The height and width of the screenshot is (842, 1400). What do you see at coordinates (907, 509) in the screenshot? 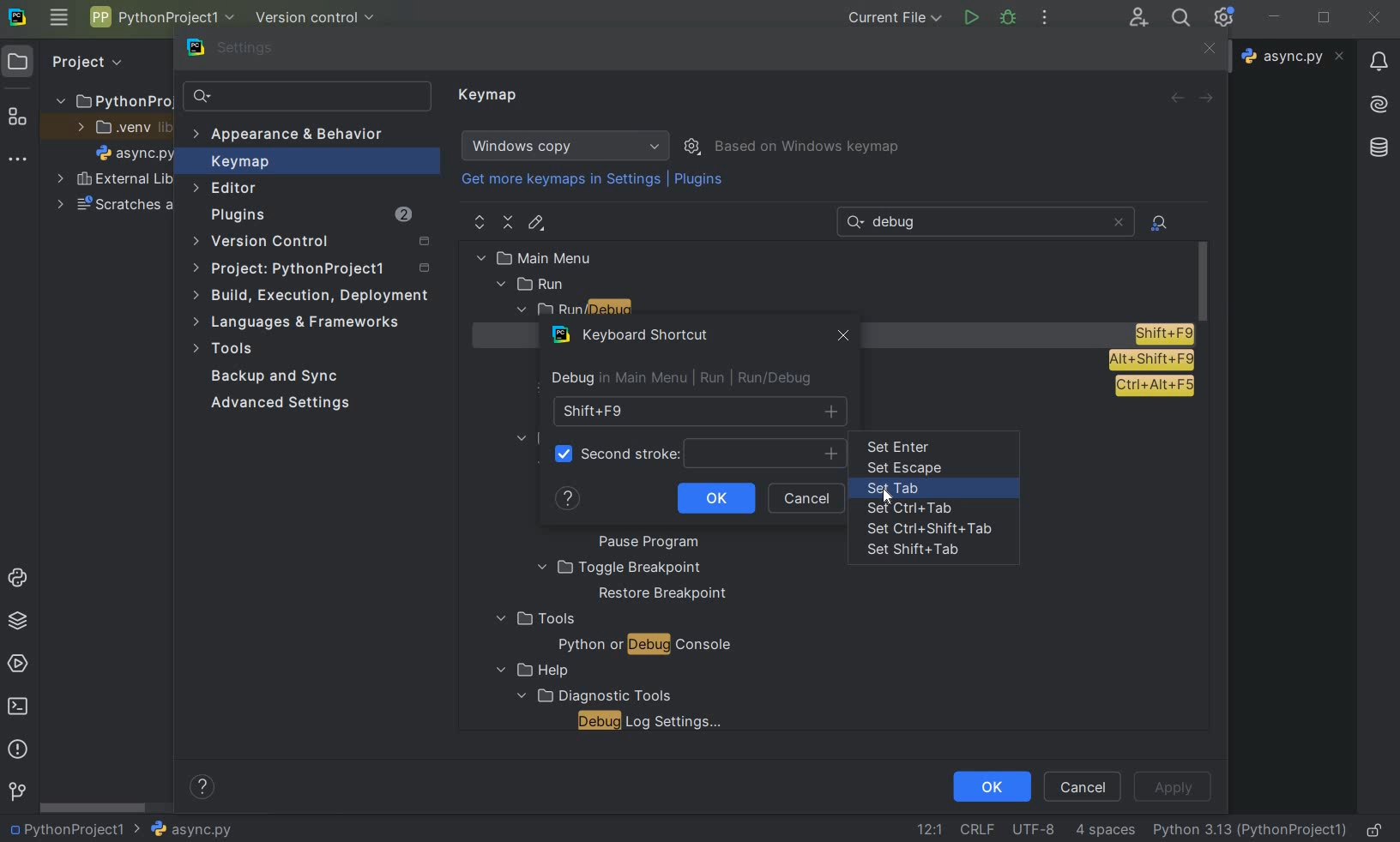
I see `set Ctrl+Tab` at bounding box center [907, 509].